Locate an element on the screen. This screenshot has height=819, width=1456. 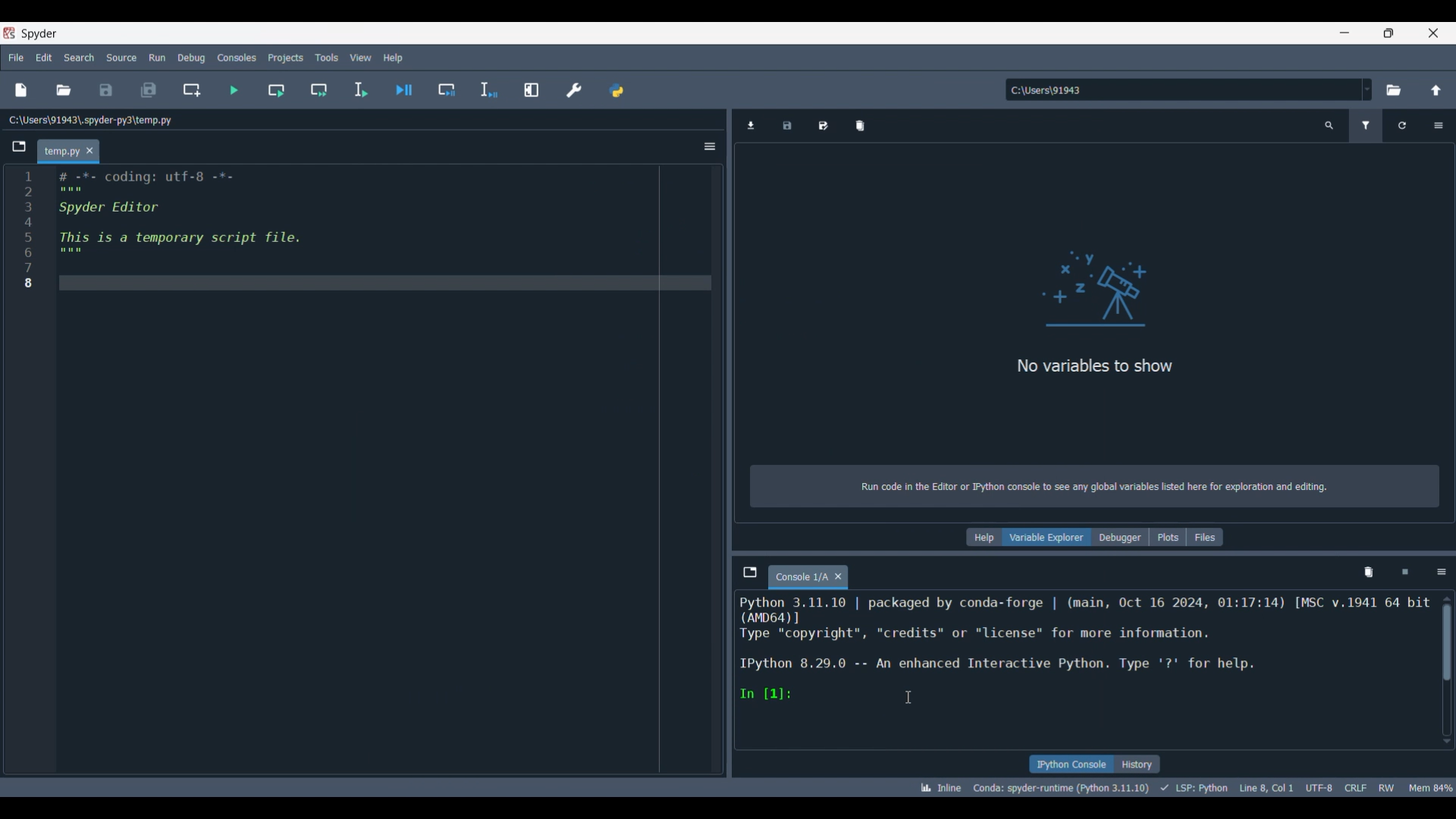
Run current cell is located at coordinates (277, 90).